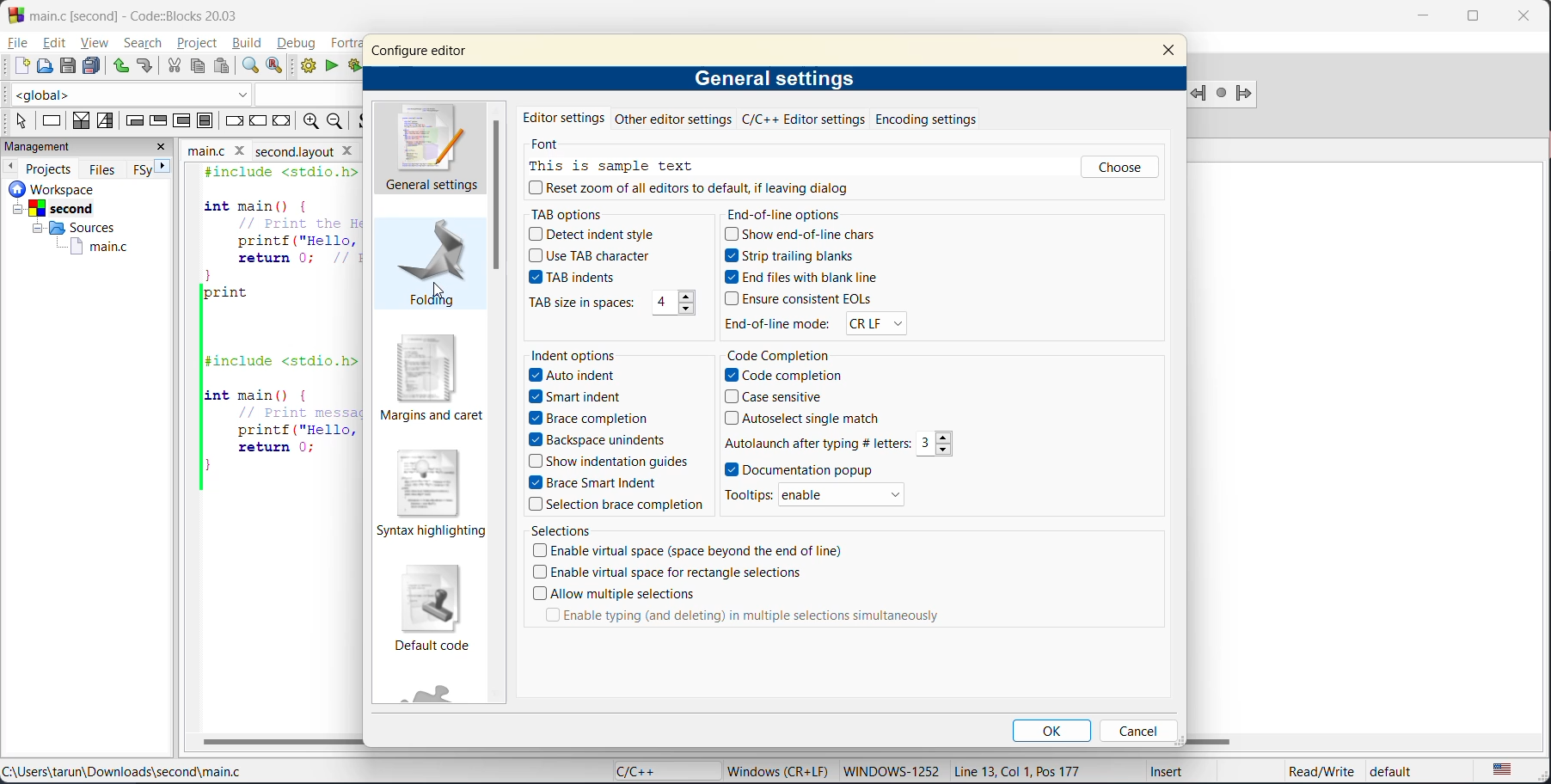 This screenshot has height=784, width=1551. Describe the element at coordinates (572, 279) in the screenshot. I see `TAB indents` at that location.